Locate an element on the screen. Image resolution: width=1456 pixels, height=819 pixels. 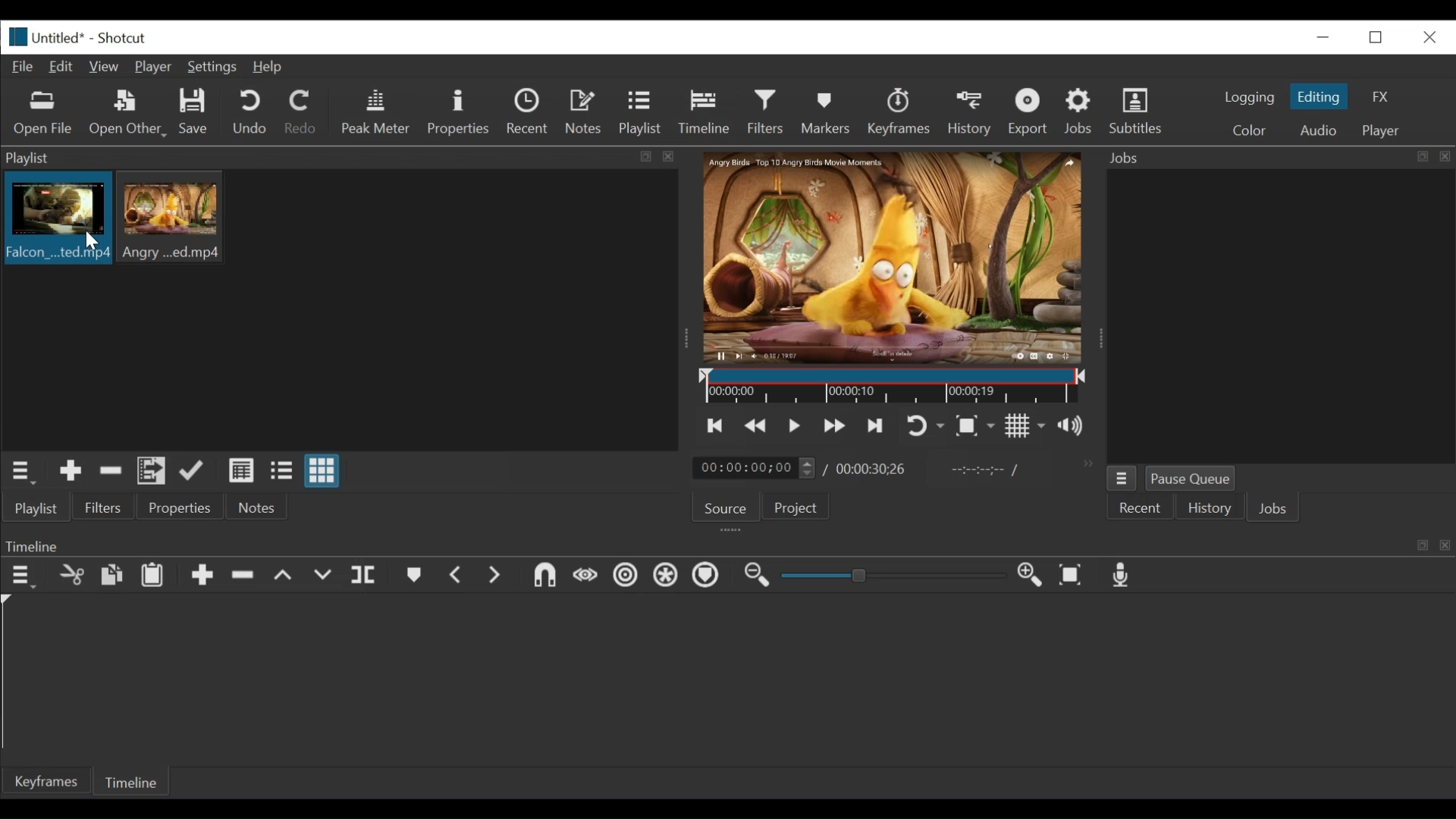
view as icons is located at coordinates (320, 472).